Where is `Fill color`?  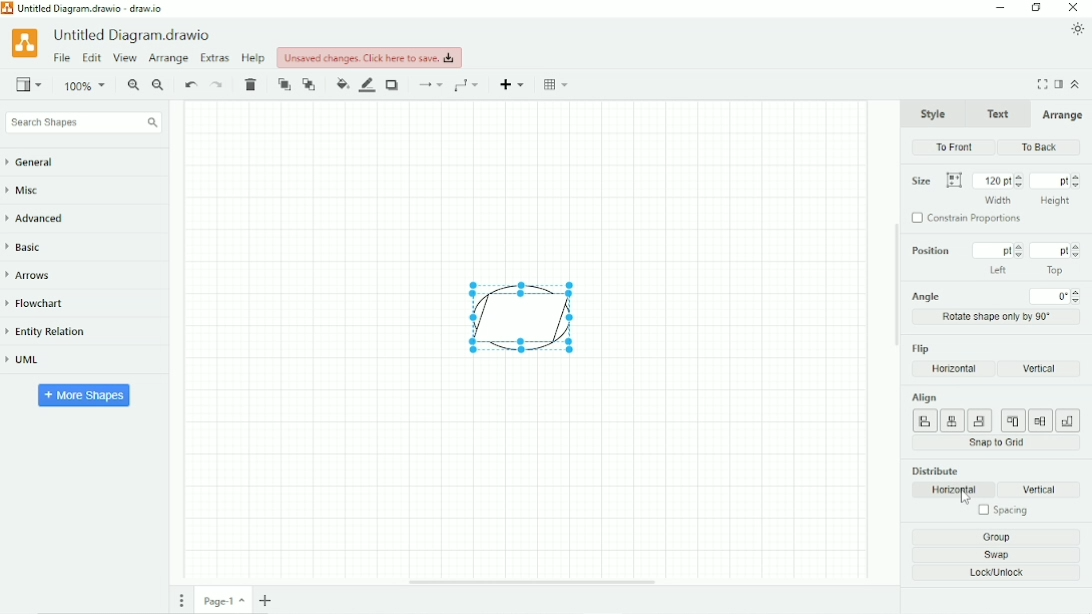 Fill color is located at coordinates (342, 84).